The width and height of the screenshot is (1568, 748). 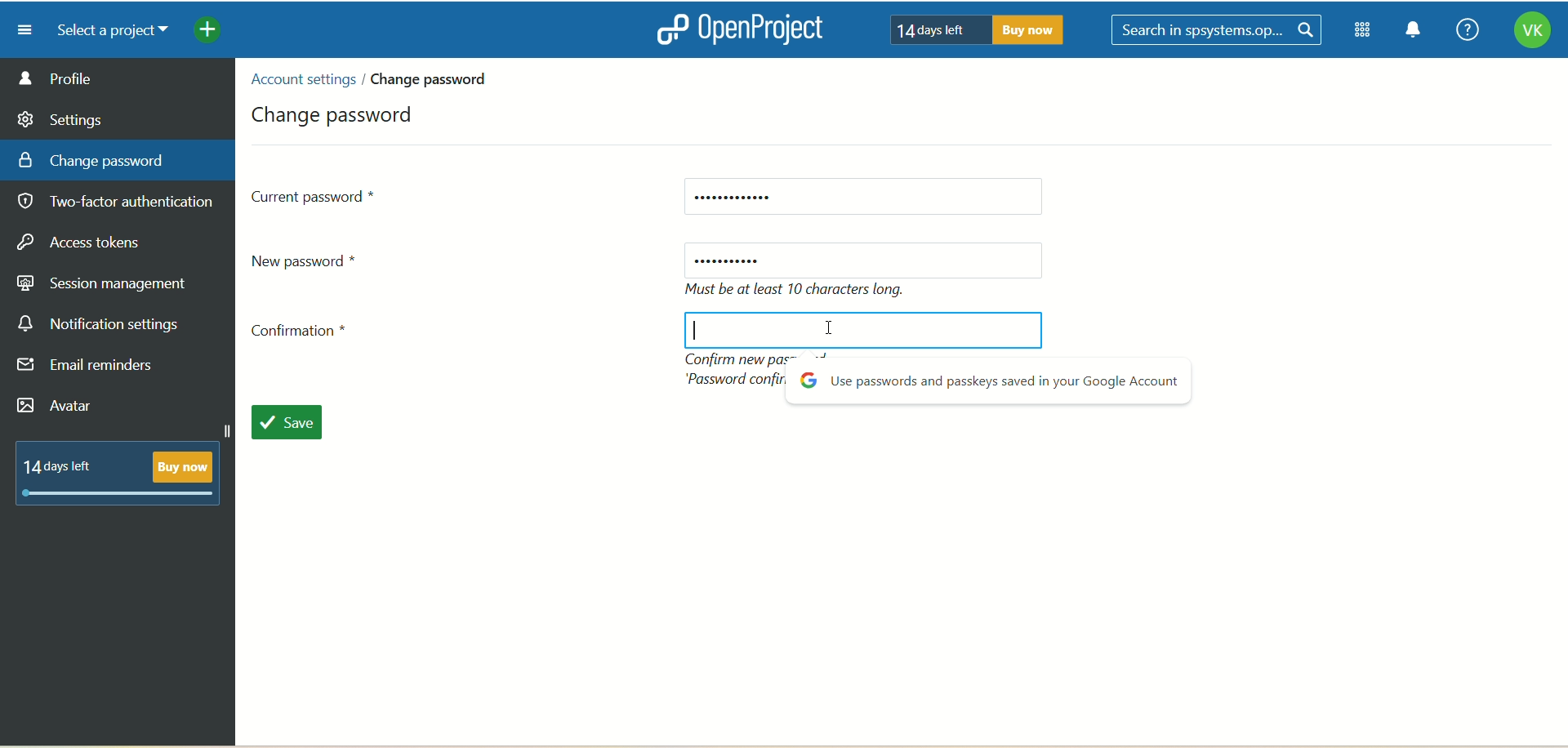 I want to click on help, so click(x=1463, y=31).